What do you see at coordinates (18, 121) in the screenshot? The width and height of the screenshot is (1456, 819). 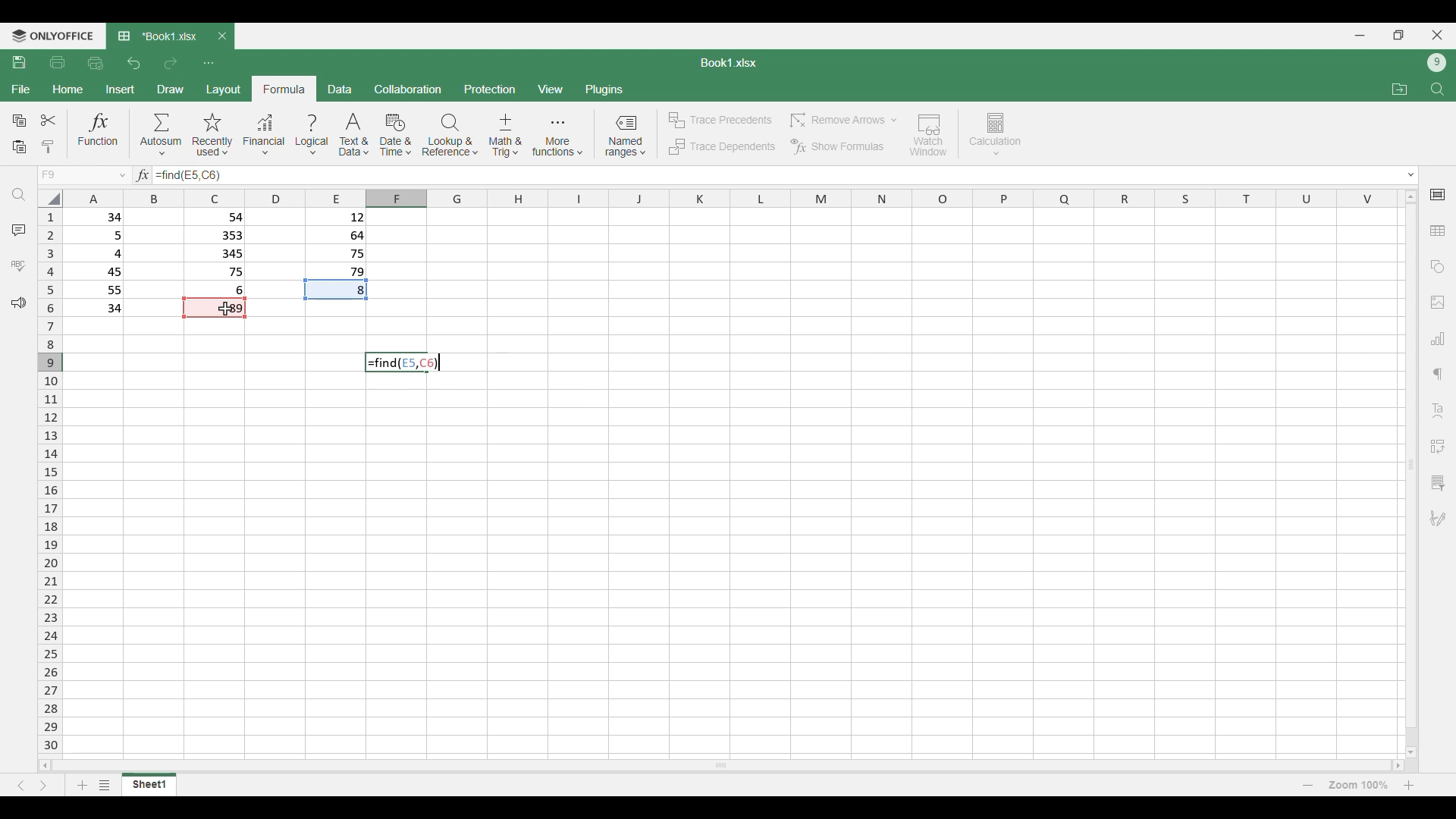 I see `Copy` at bounding box center [18, 121].